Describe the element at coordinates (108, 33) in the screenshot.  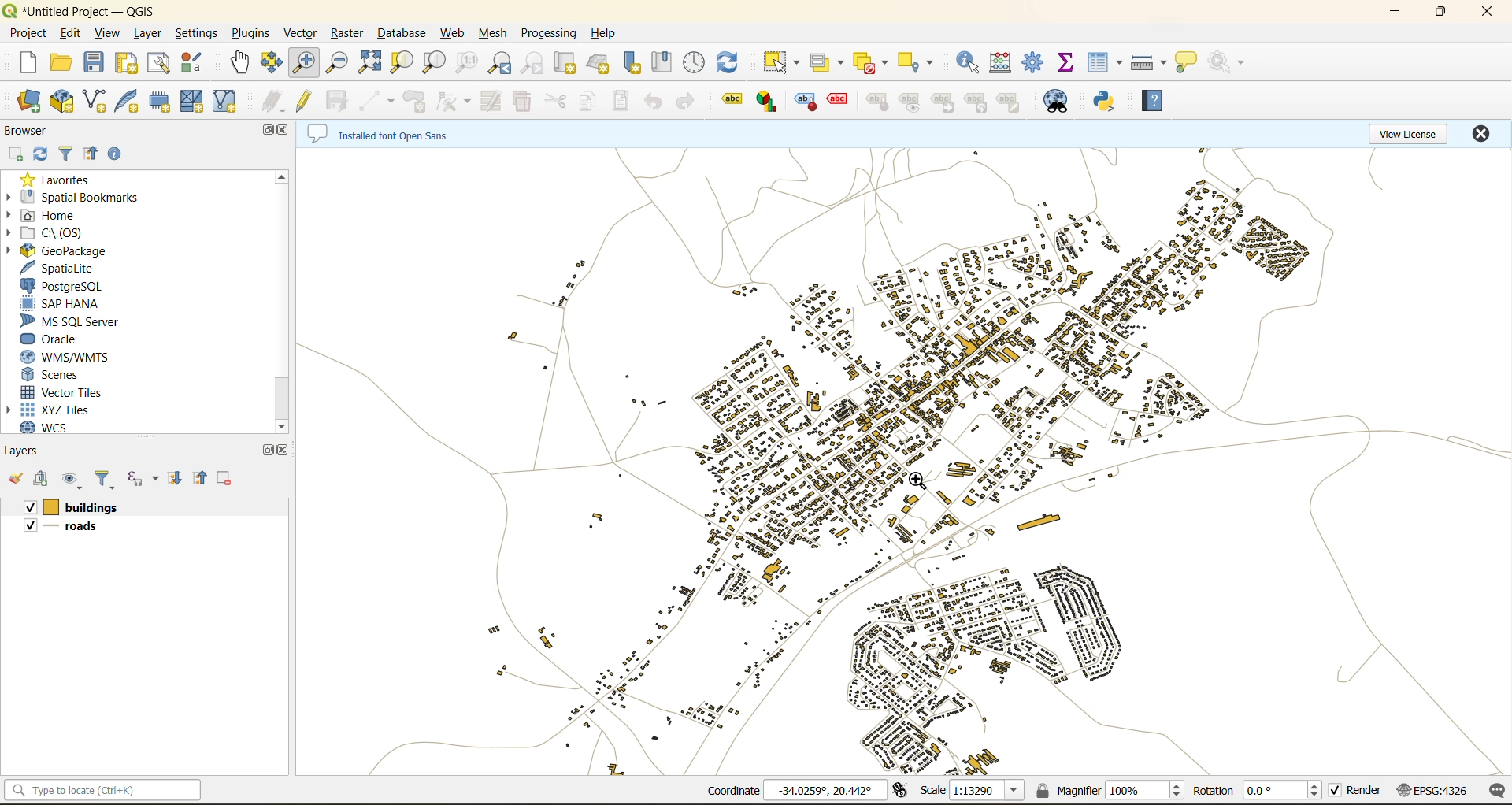
I see `view` at that location.